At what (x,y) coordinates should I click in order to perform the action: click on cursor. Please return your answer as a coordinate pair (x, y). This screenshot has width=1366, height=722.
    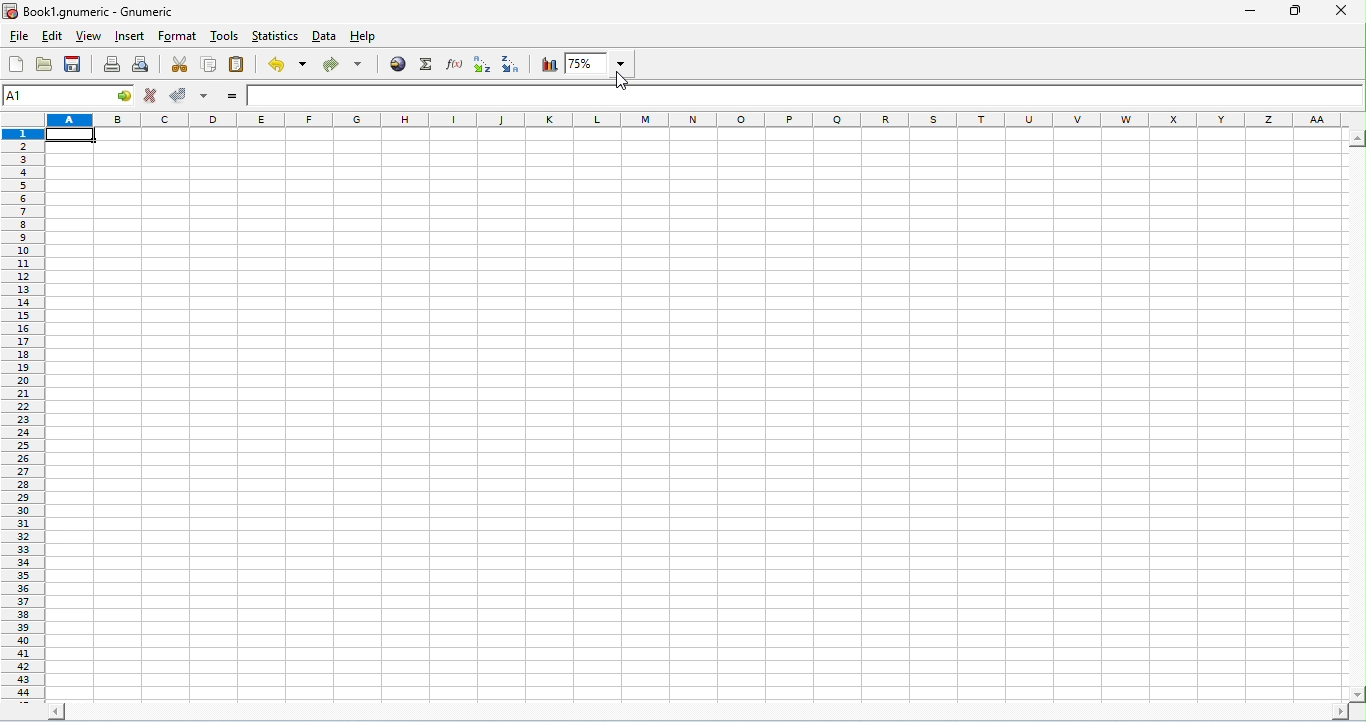
    Looking at the image, I should click on (623, 81).